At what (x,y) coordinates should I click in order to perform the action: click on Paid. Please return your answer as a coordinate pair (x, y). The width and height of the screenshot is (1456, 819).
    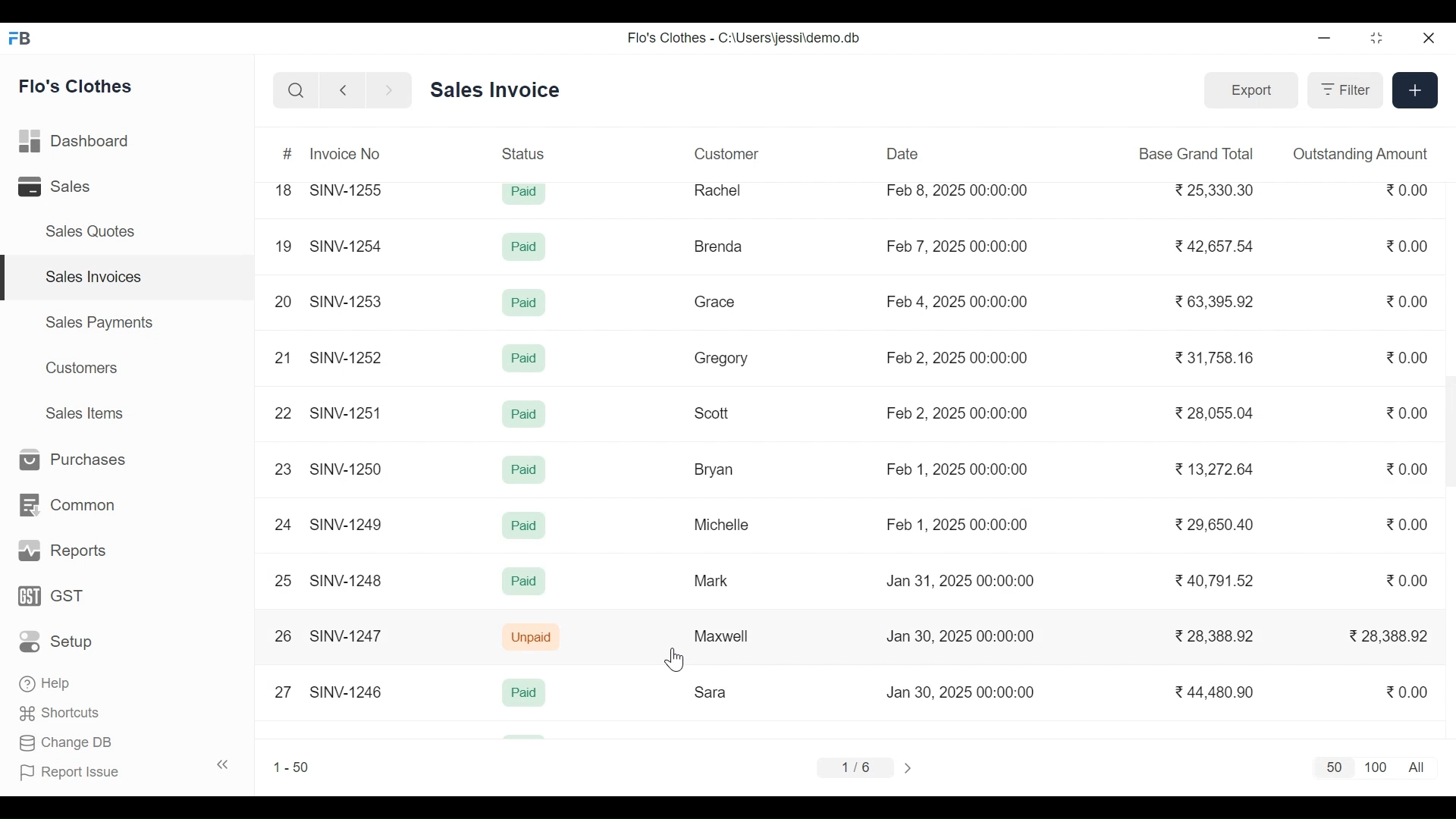
    Looking at the image, I should click on (525, 415).